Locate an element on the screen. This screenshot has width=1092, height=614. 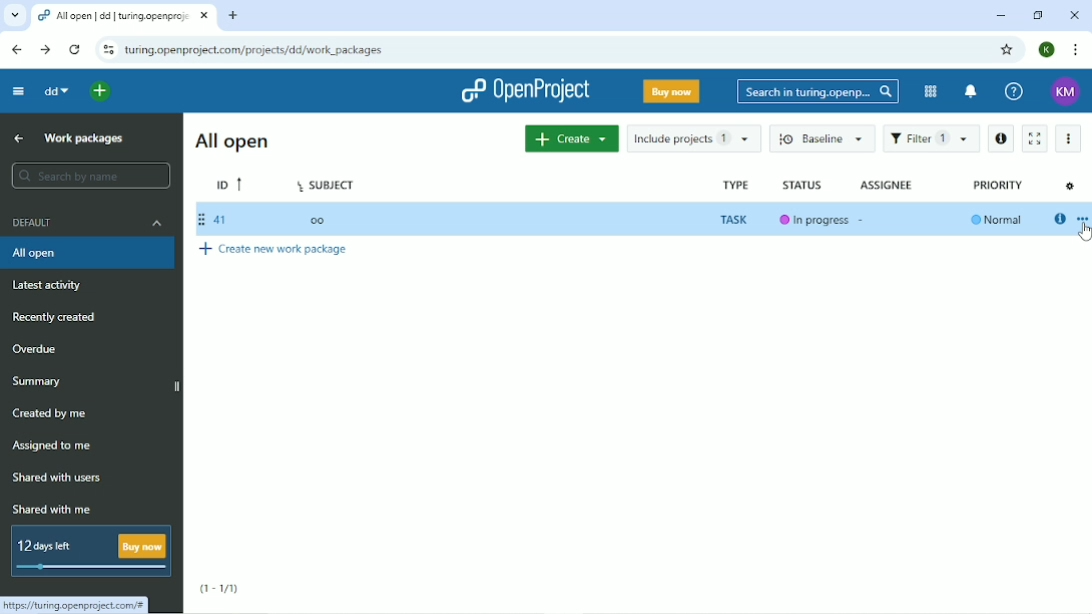
ID is located at coordinates (230, 182).